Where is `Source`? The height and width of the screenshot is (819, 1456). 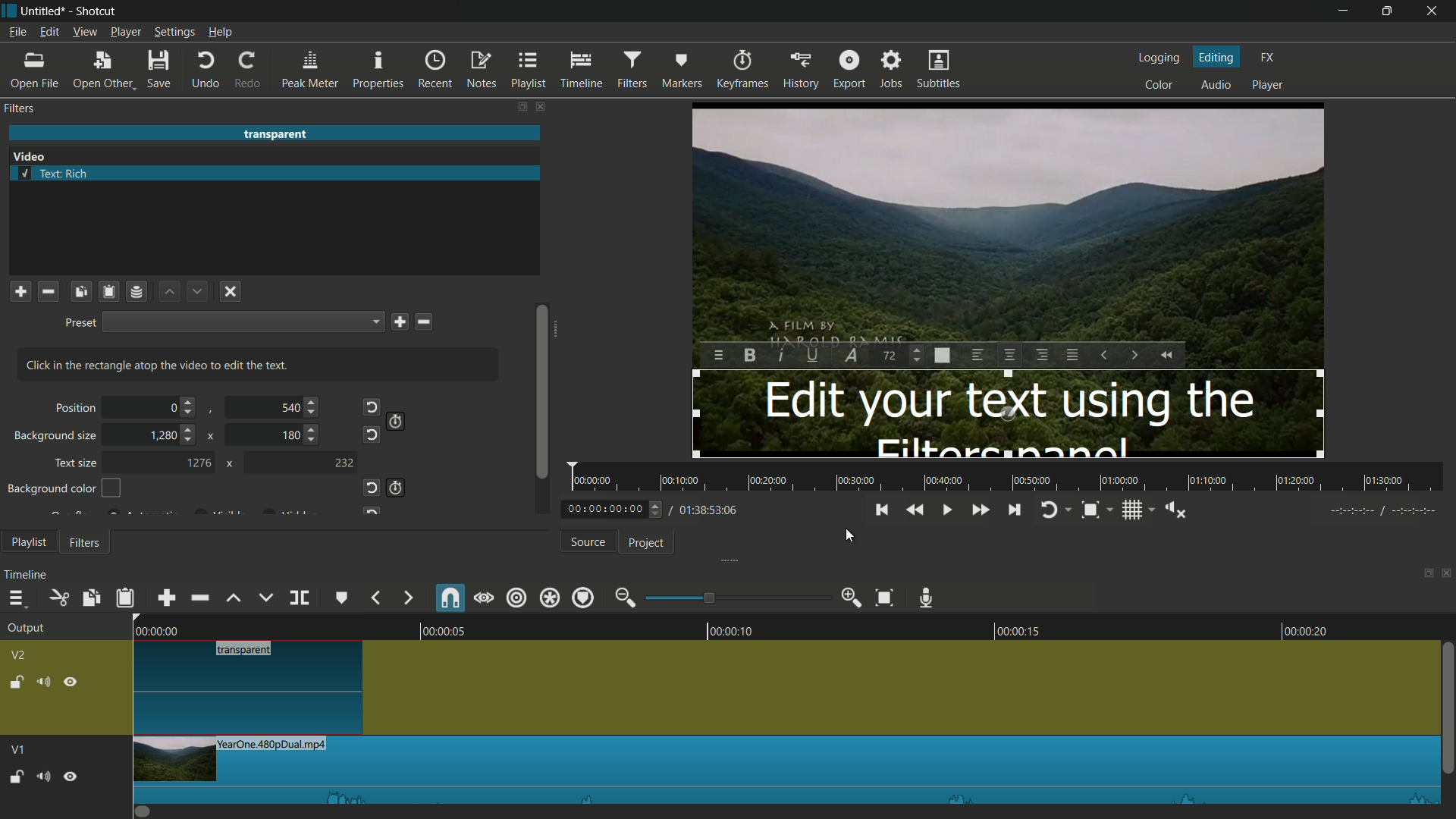 Source is located at coordinates (584, 541).